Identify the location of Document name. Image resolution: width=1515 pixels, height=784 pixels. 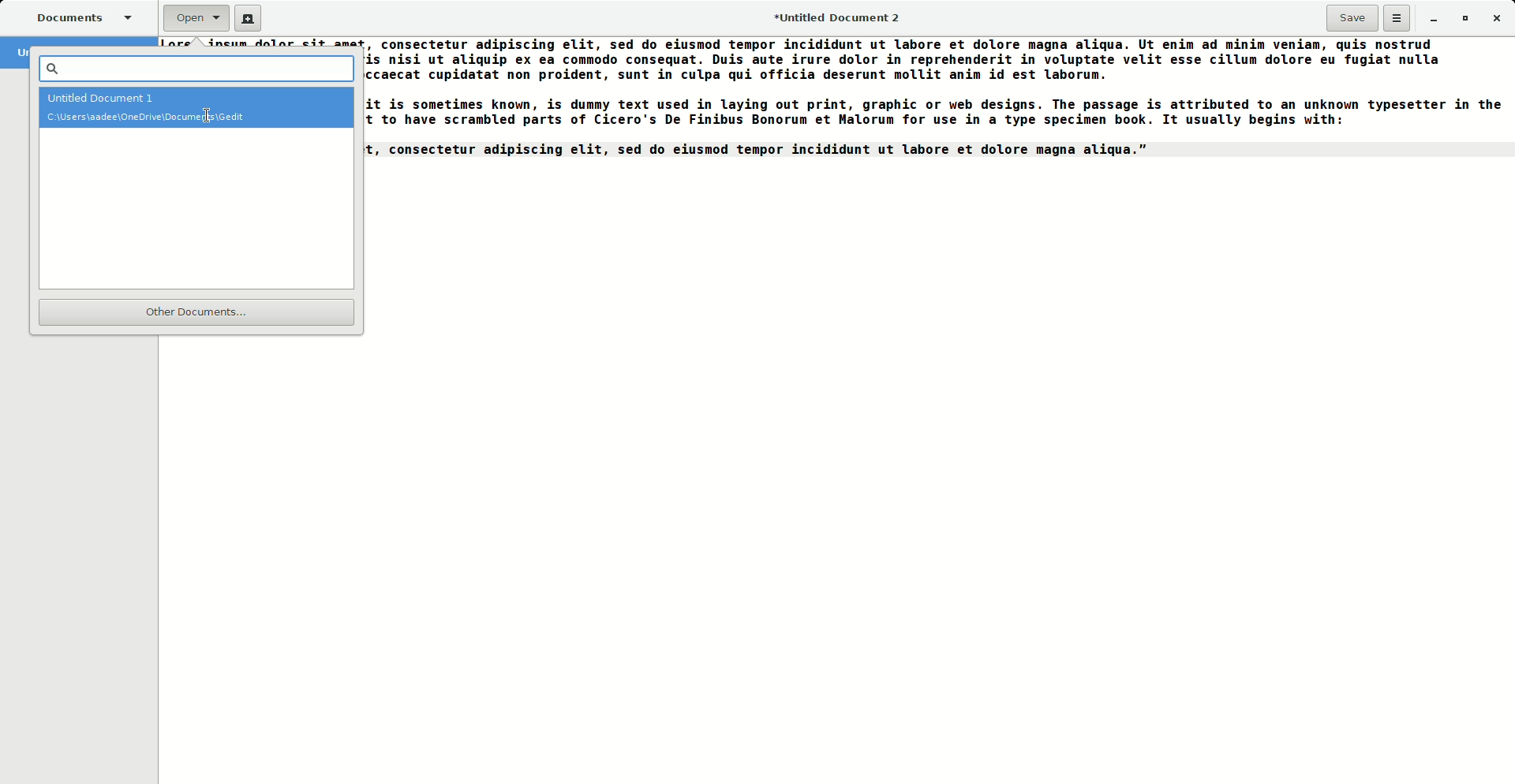
(193, 96).